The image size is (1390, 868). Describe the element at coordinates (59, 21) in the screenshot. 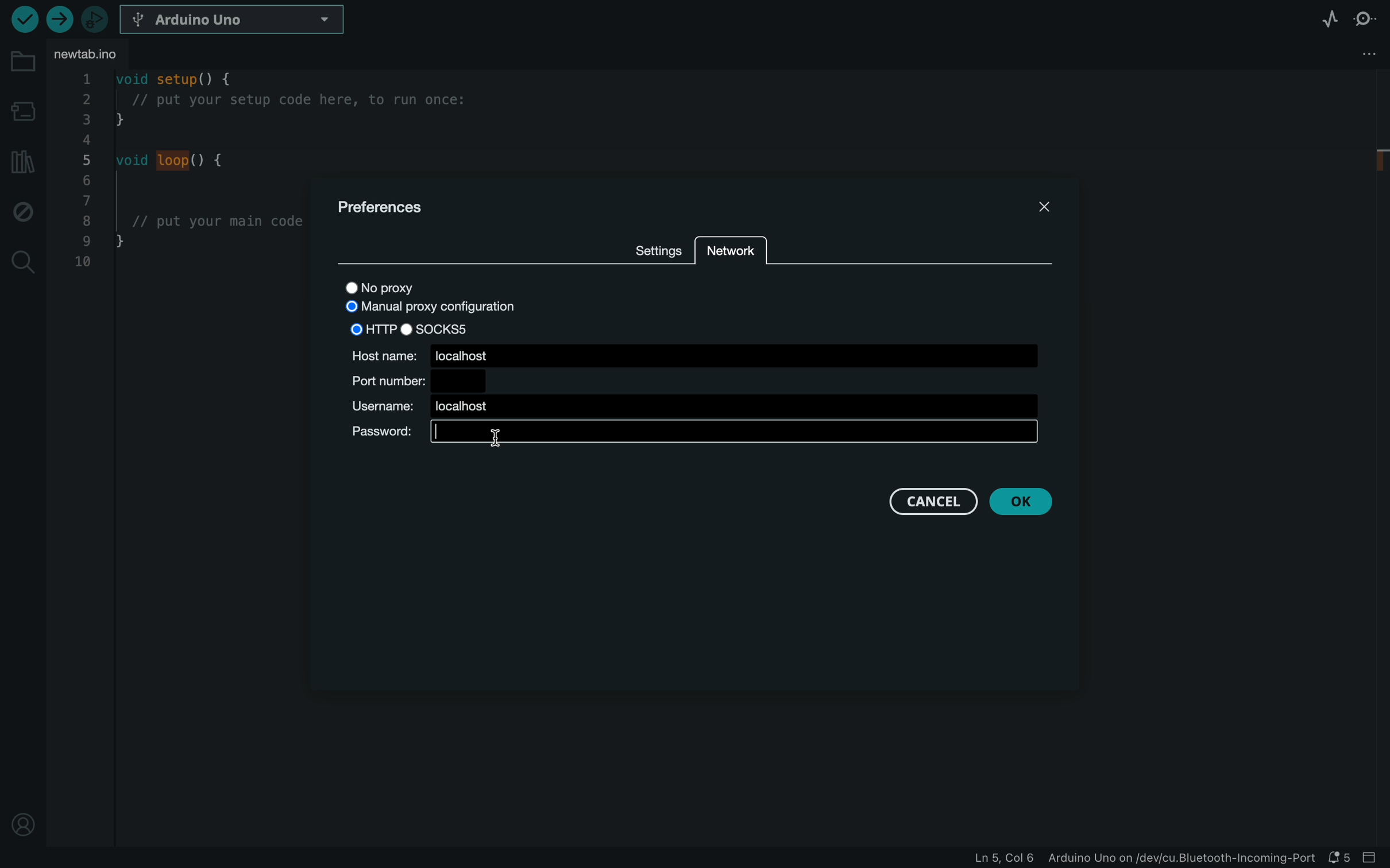

I see `upload` at that location.